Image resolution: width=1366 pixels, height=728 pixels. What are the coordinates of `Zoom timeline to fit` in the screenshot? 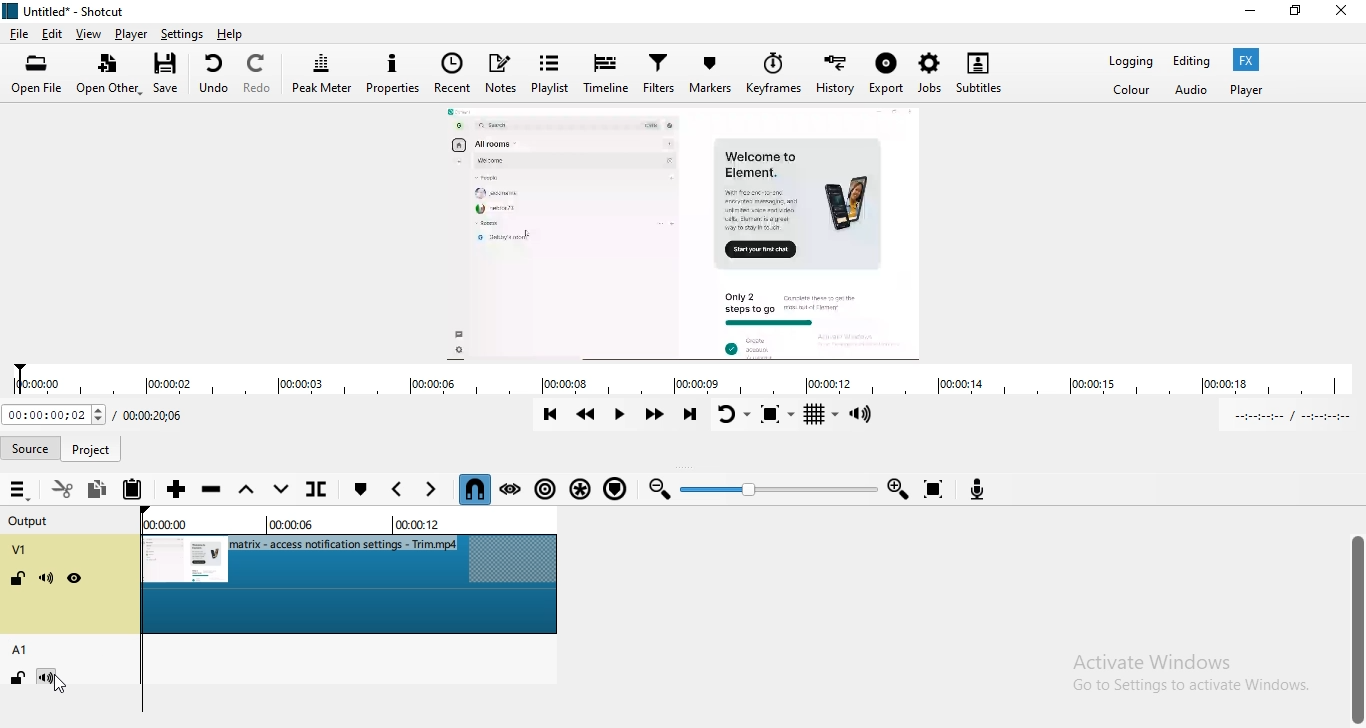 It's located at (940, 488).